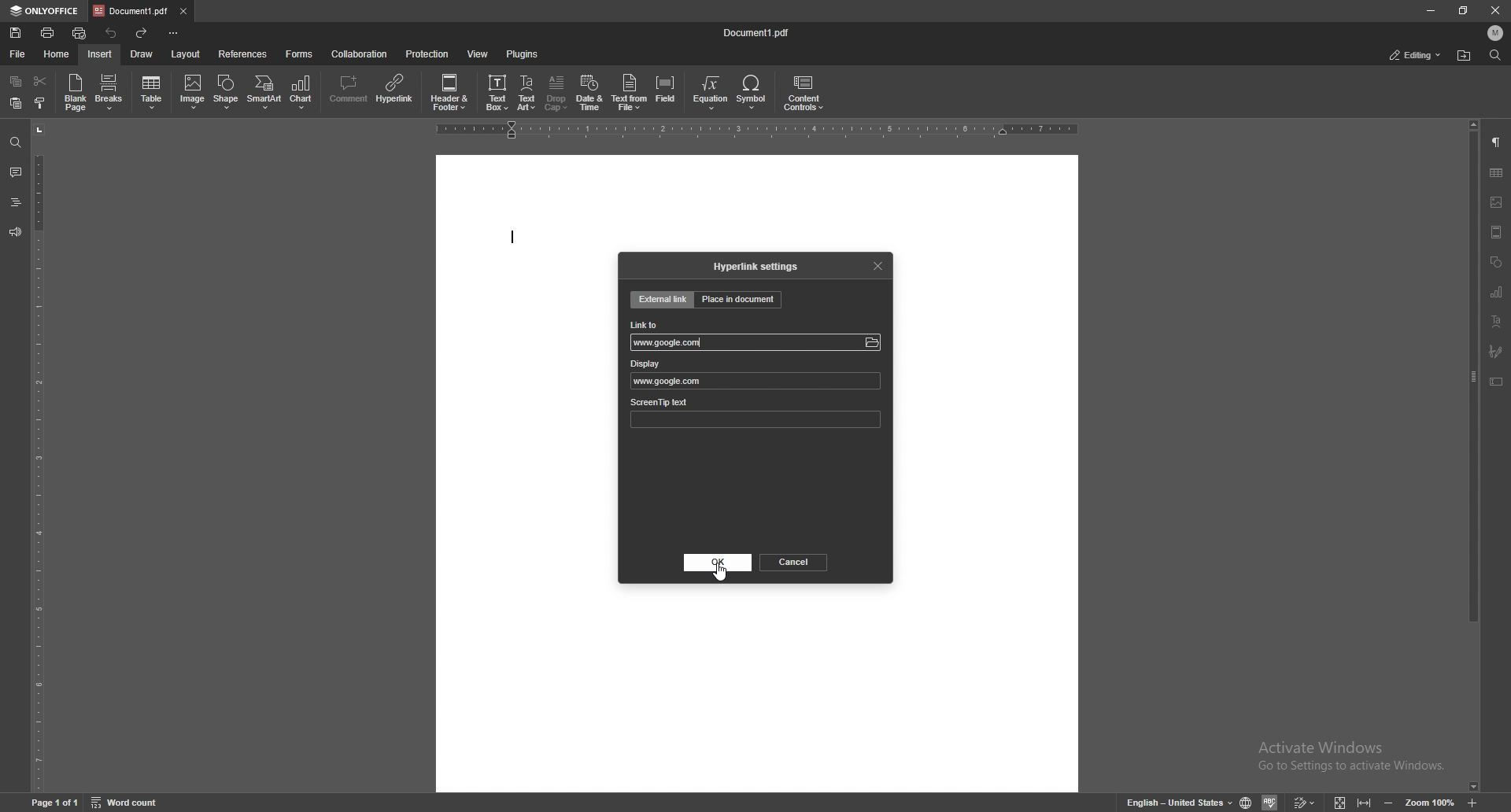 The width and height of the screenshot is (1511, 812). I want to click on vertical scale, so click(36, 456).